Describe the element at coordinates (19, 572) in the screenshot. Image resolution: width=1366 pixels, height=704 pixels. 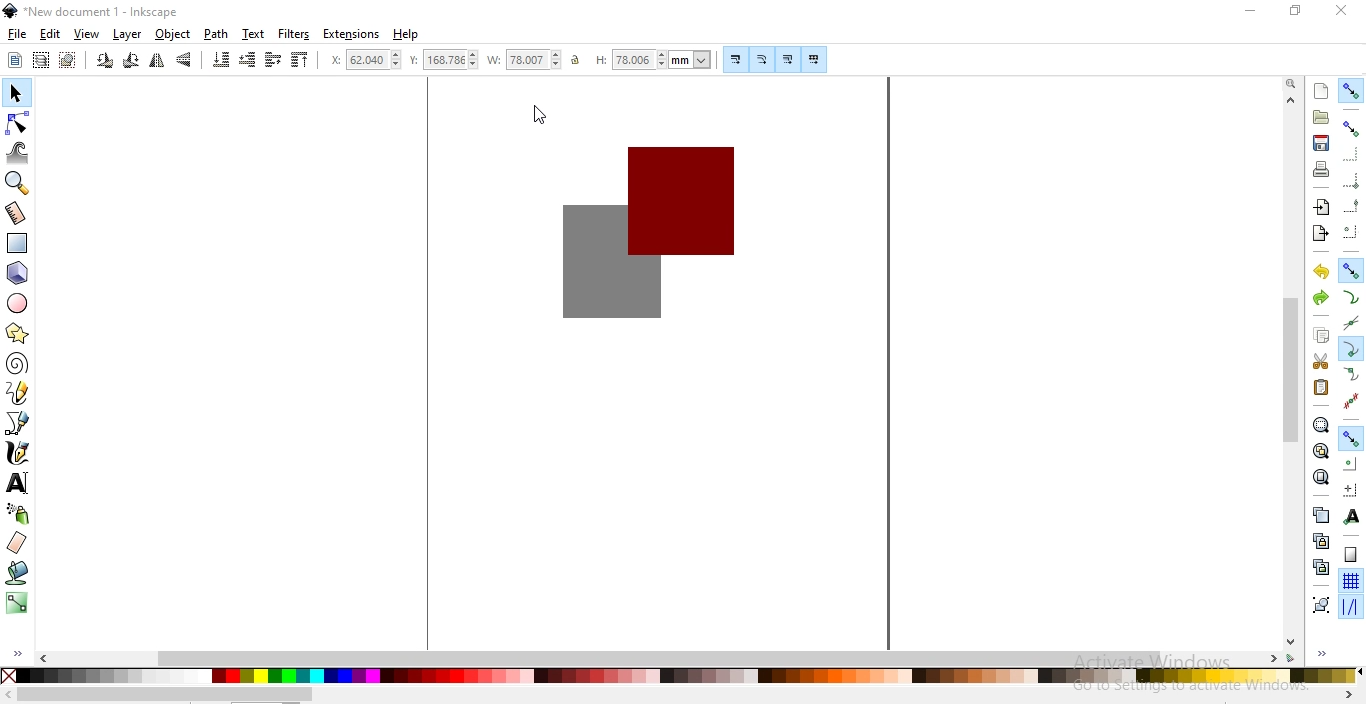
I see `fill bounded areas` at that location.